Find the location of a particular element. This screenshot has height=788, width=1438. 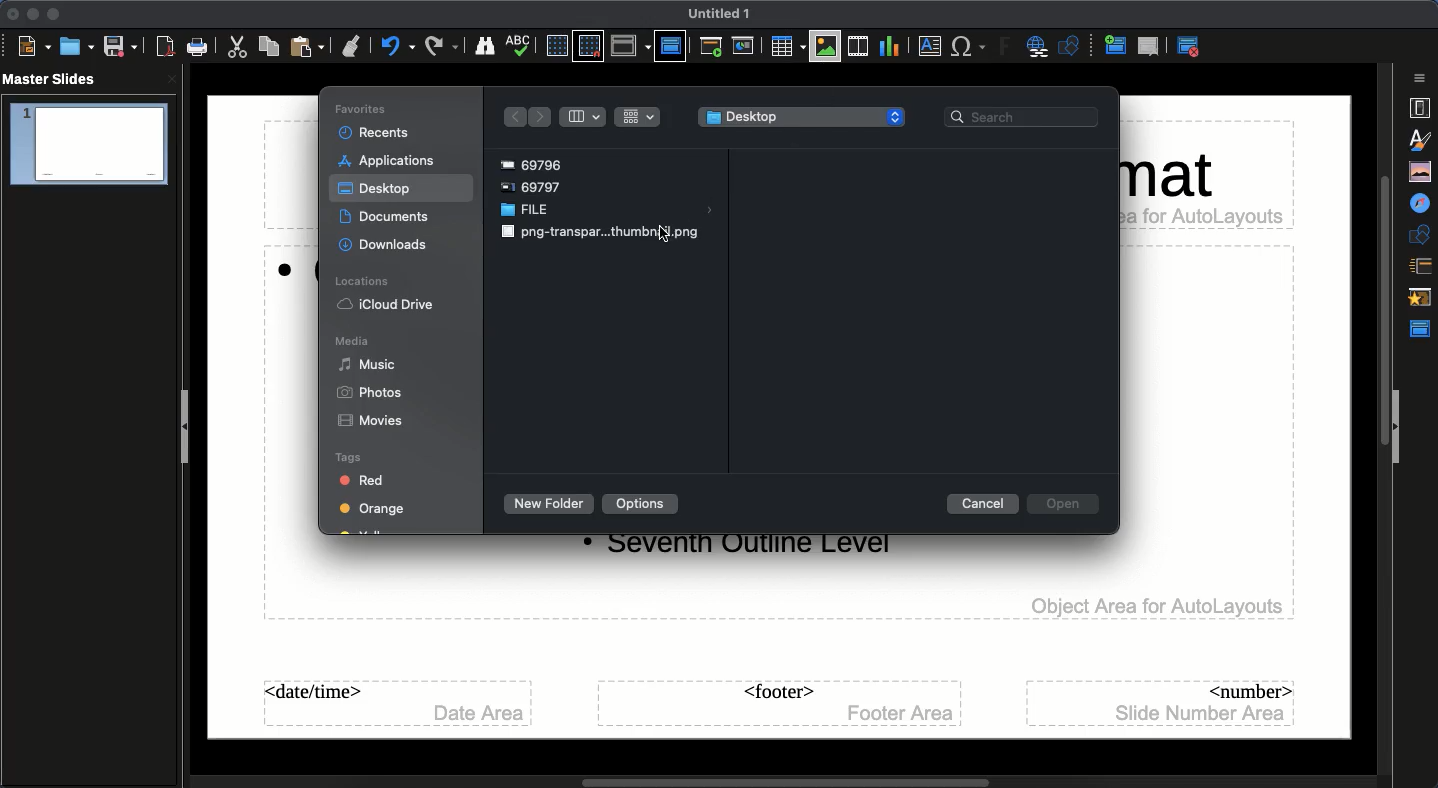

Chart is located at coordinates (889, 45).